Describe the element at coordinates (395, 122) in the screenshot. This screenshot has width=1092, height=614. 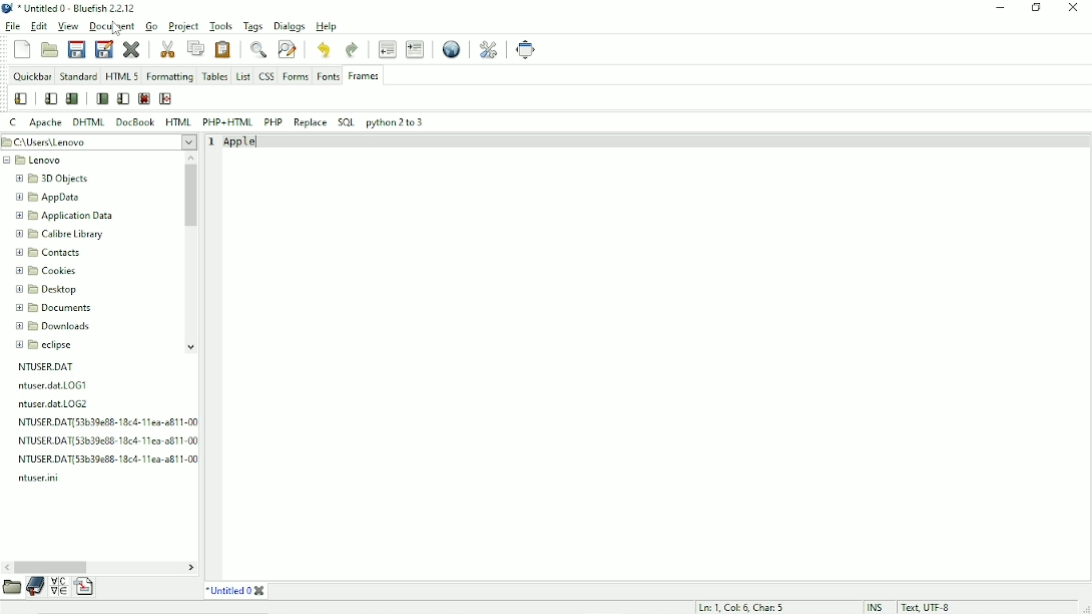
I see `Python 2 to 3` at that location.